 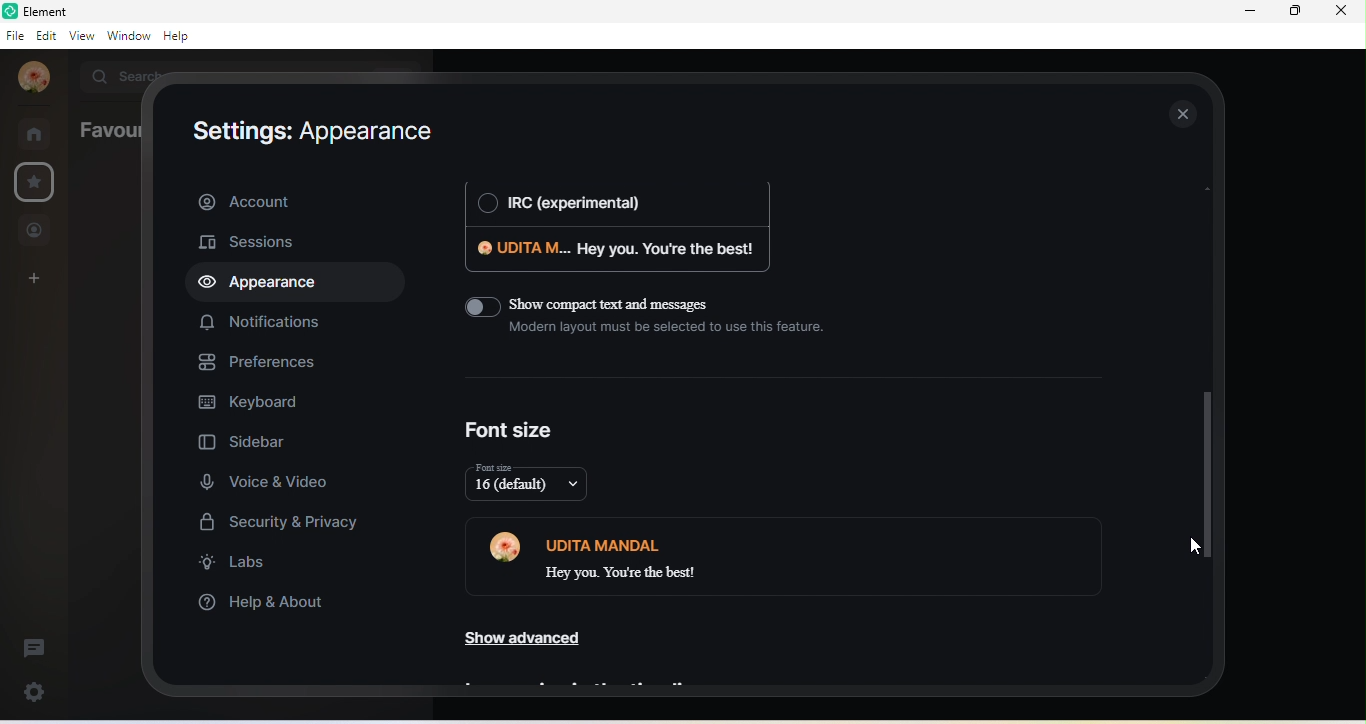 What do you see at coordinates (1295, 15) in the screenshot?
I see `maximize` at bounding box center [1295, 15].